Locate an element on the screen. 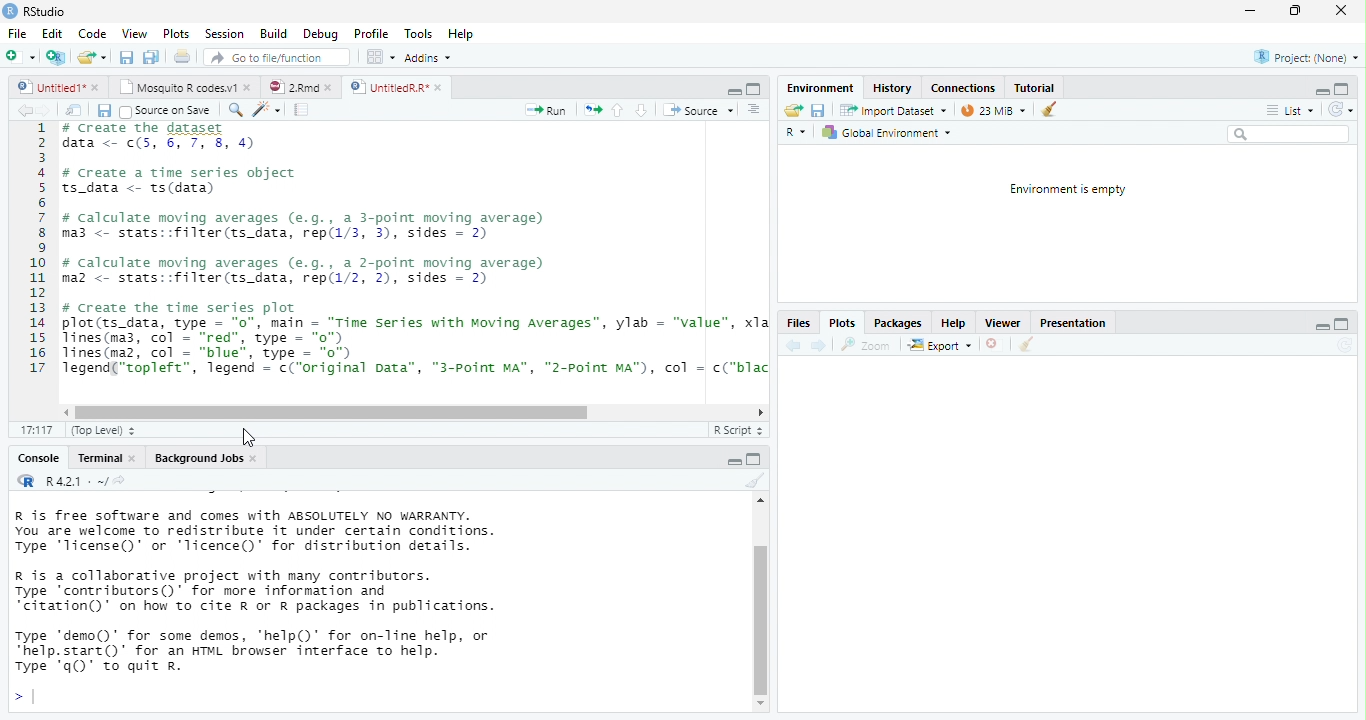 This screenshot has width=1366, height=720. R Script is located at coordinates (736, 430).